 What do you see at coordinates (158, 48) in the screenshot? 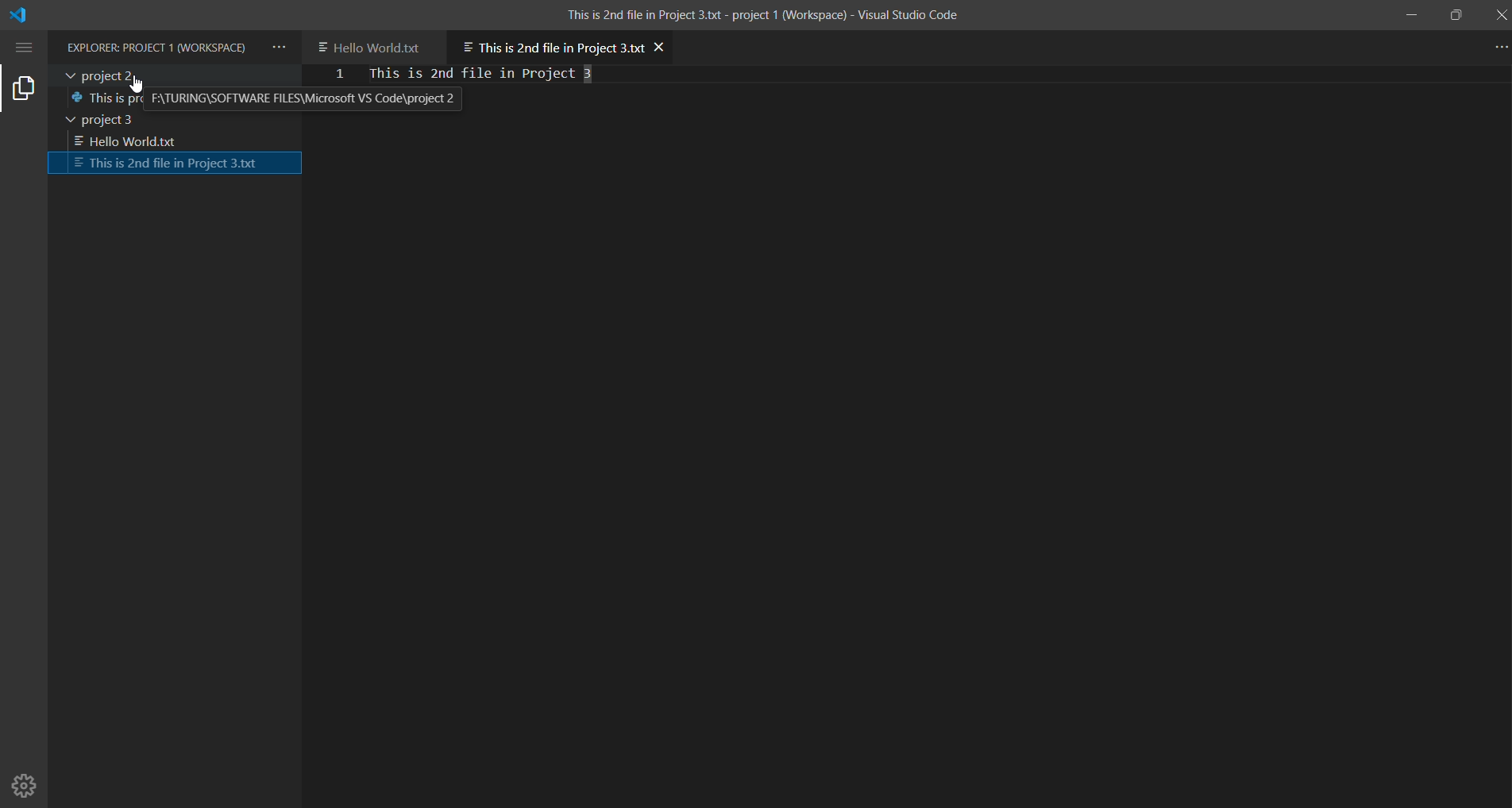
I see `Explorer` at bounding box center [158, 48].